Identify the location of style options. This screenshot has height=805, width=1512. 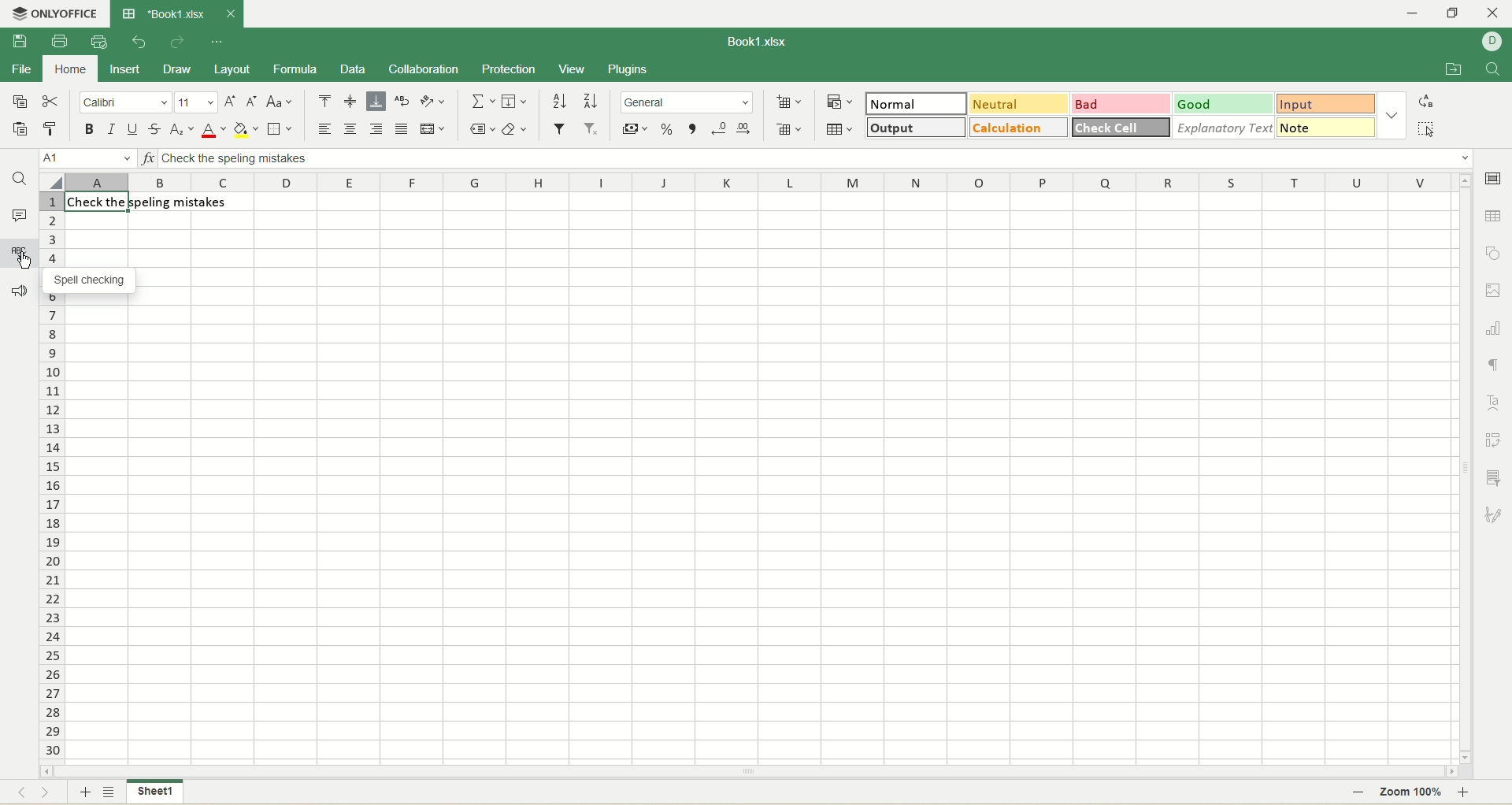
(1391, 118).